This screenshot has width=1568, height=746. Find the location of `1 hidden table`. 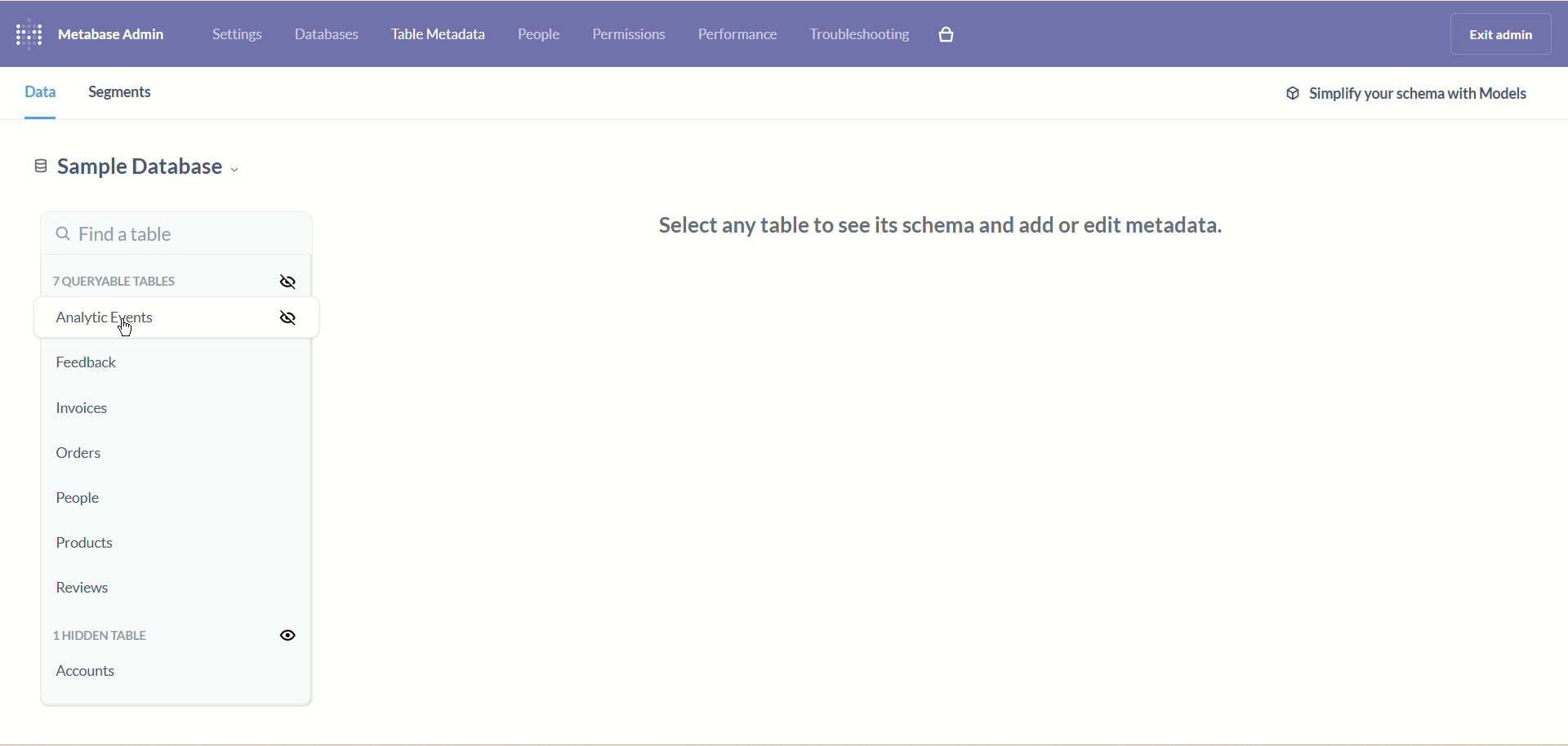

1 hidden table is located at coordinates (106, 635).